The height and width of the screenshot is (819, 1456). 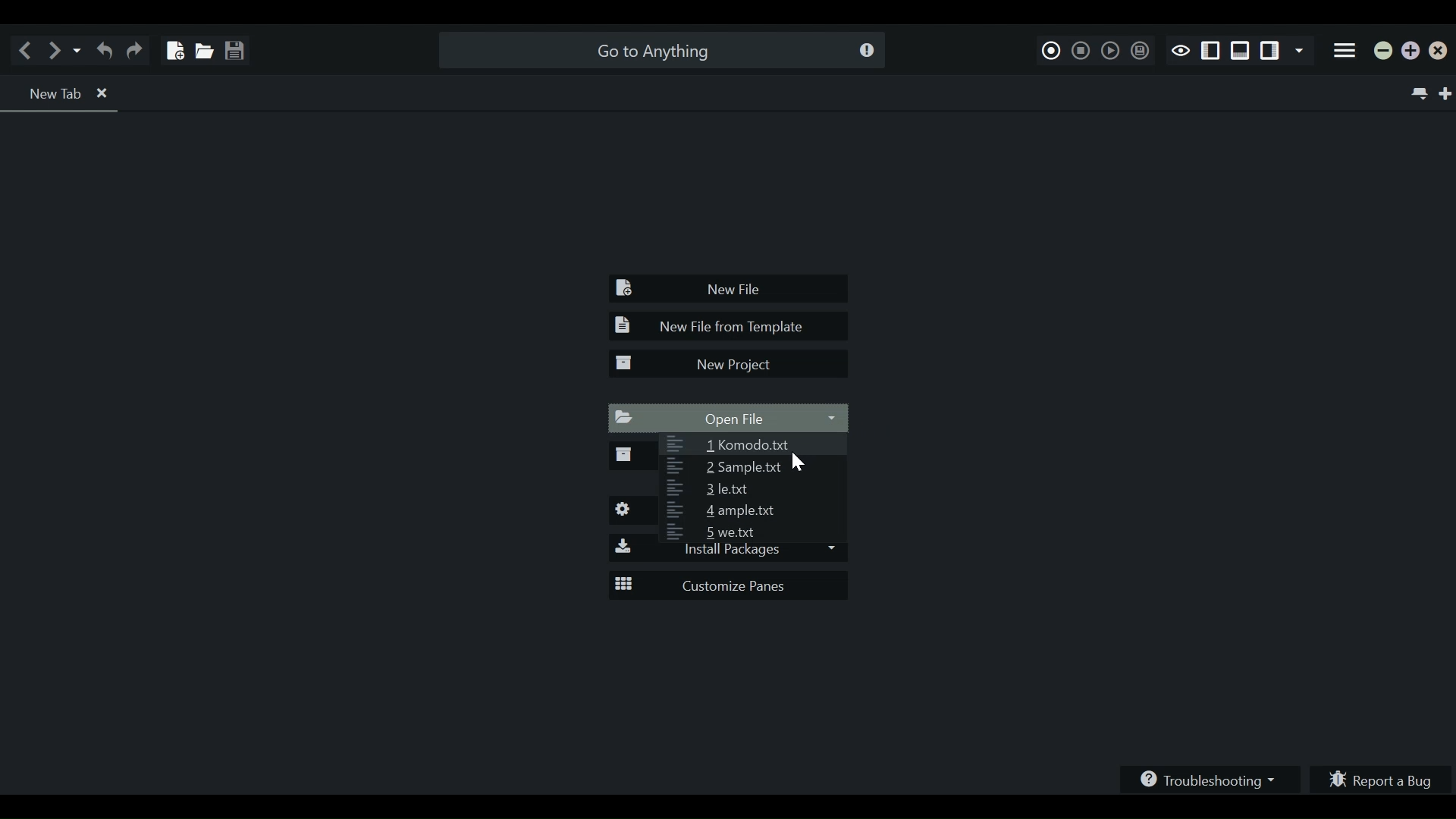 What do you see at coordinates (1138, 51) in the screenshot?
I see `Save Macro to Toolbox as Superscript` at bounding box center [1138, 51].